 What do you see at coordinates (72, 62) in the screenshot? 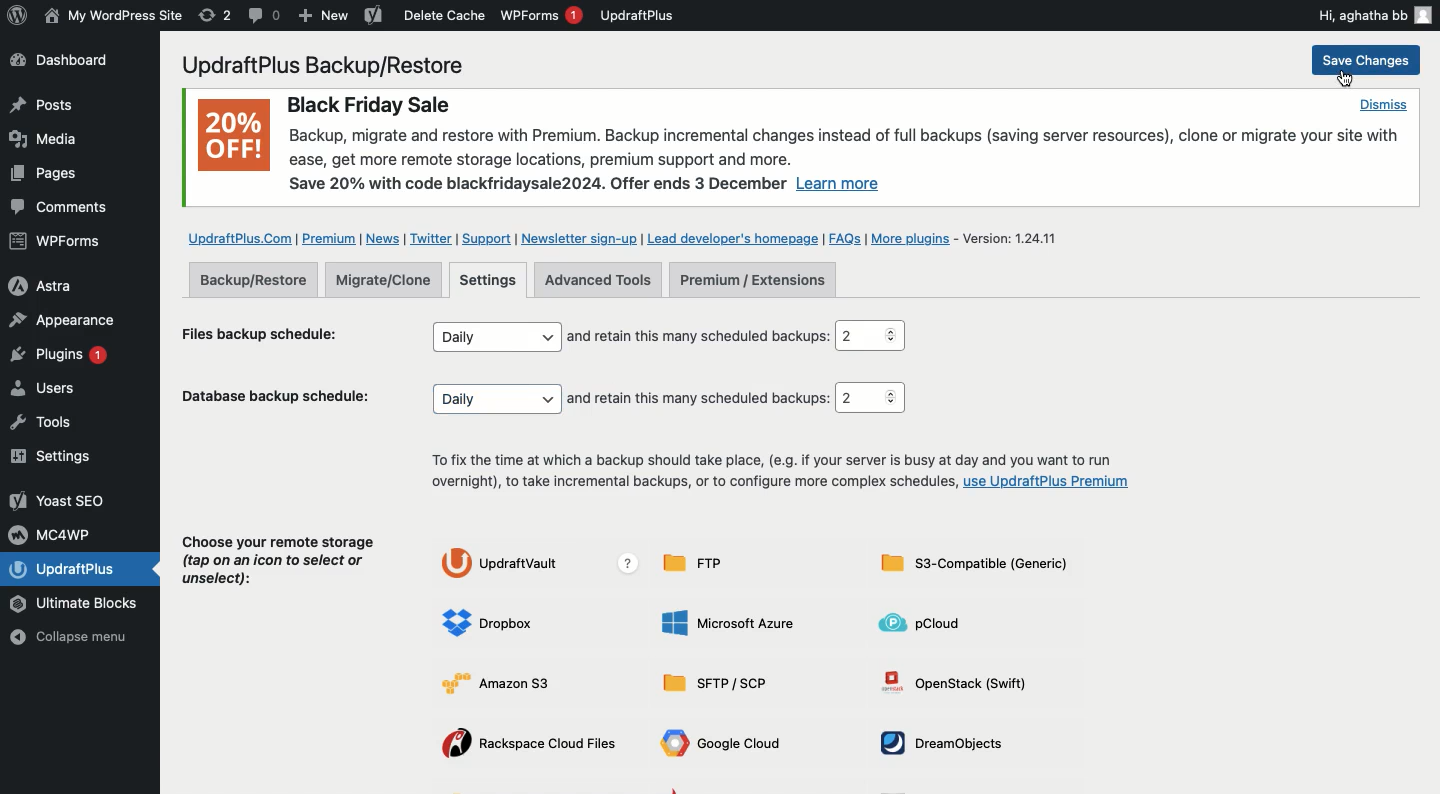
I see `Dashboard` at bounding box center [72, 62].